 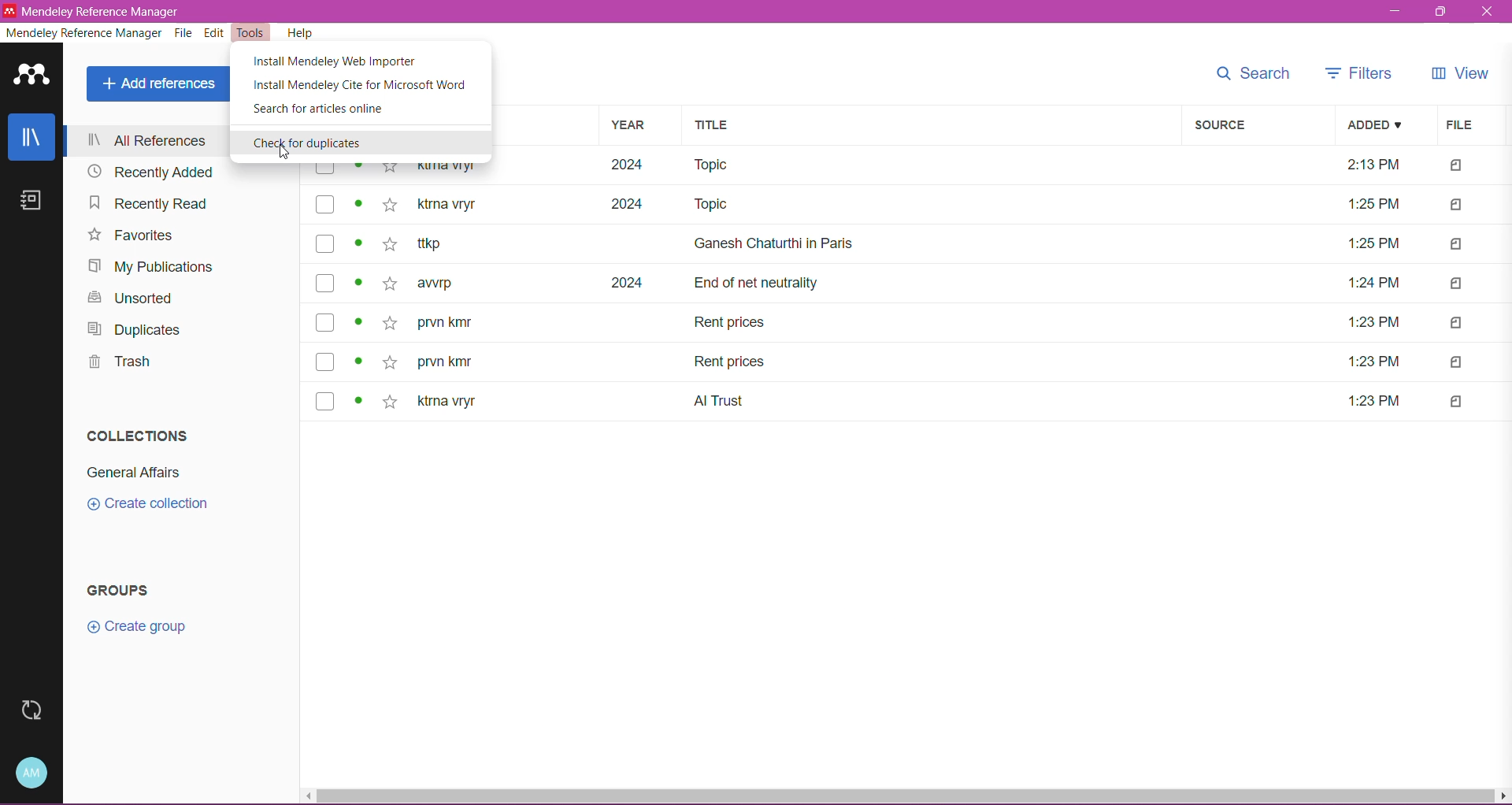 I want to click on title, so click(x=721, y=400).